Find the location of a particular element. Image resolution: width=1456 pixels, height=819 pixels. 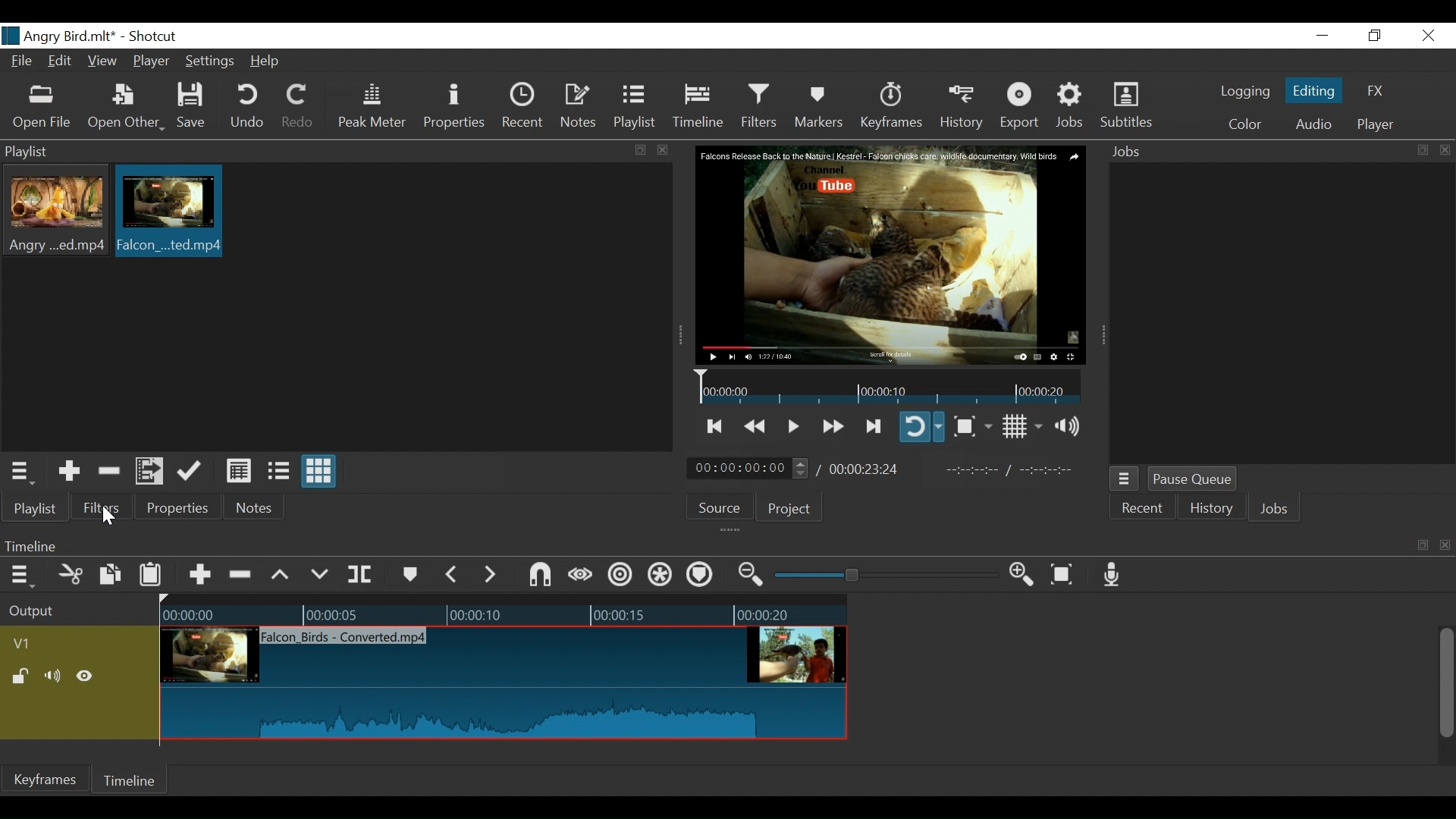

Update is located at coordinates (193, 472).